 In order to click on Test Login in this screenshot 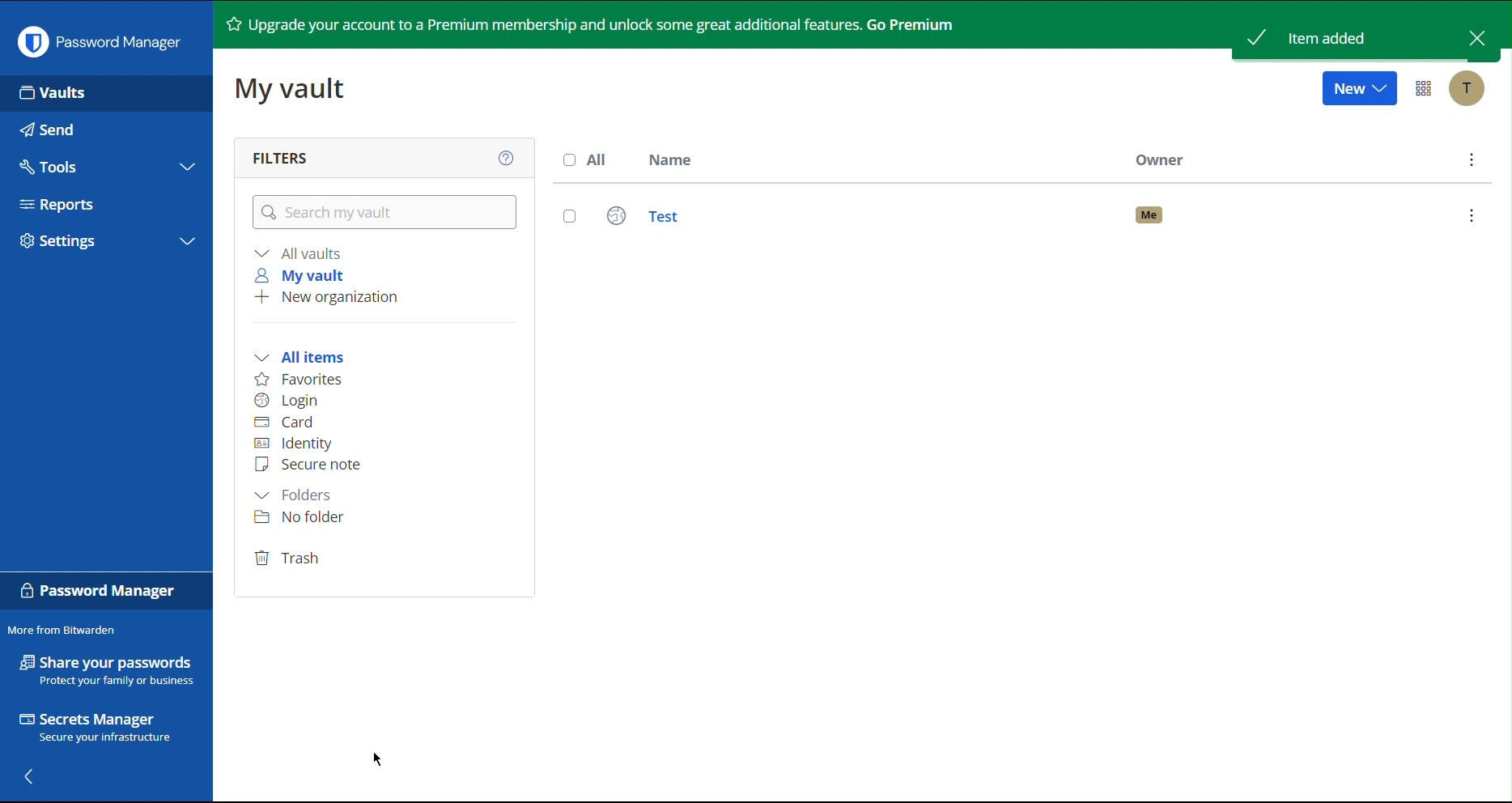, I will do `click(1018, 210)`.